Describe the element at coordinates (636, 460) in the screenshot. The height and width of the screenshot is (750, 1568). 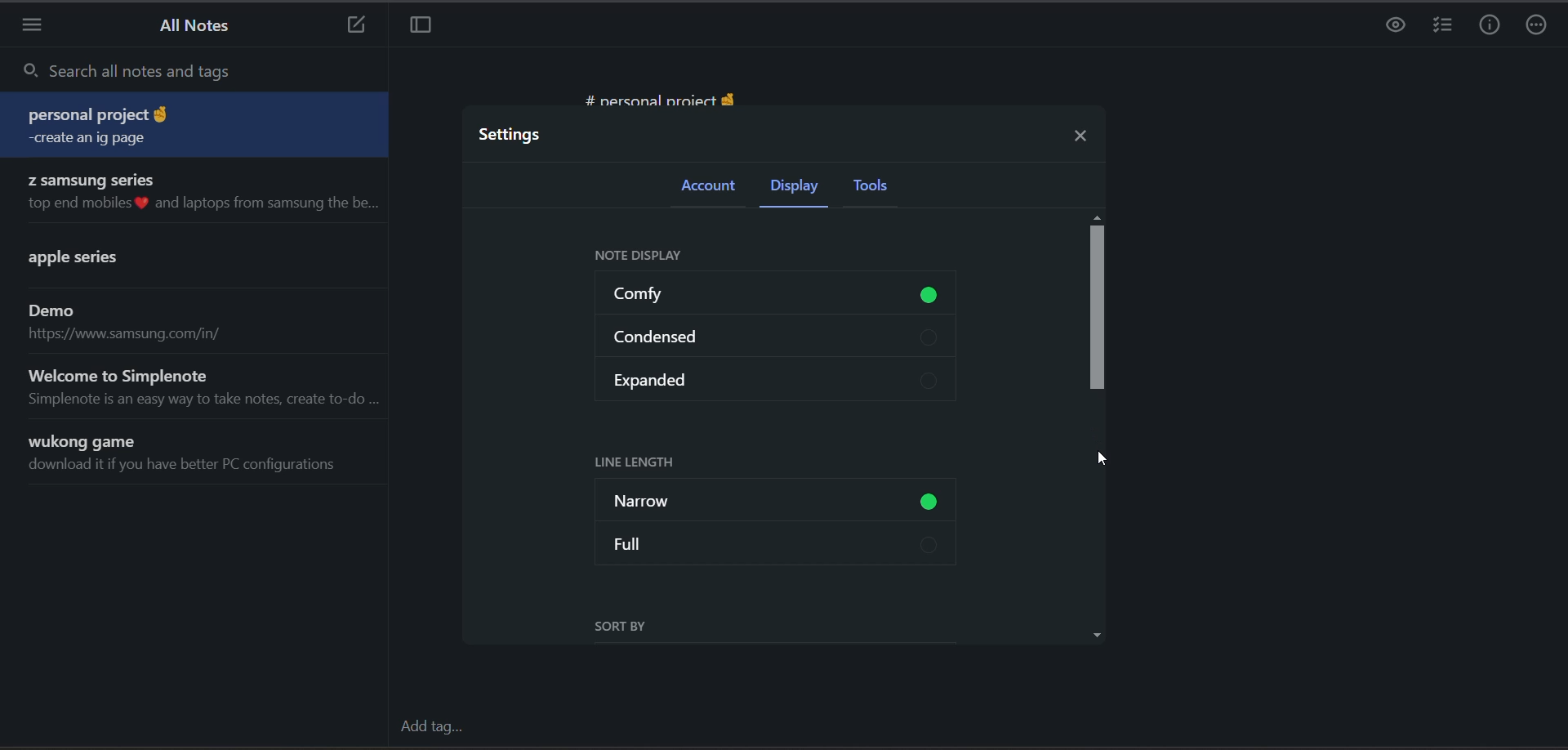
I see `unit length` at that location.